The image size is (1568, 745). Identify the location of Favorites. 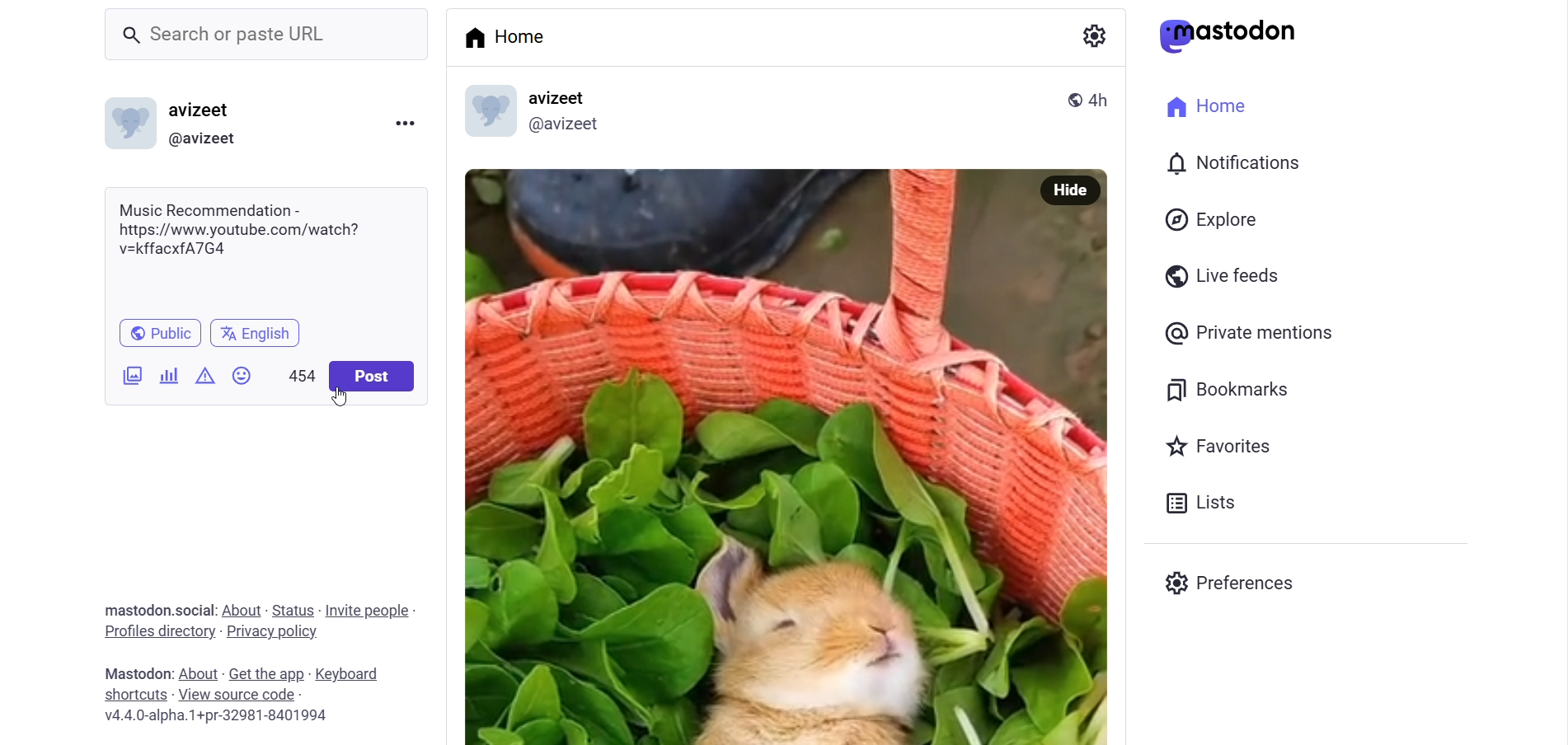
(1223, 447).